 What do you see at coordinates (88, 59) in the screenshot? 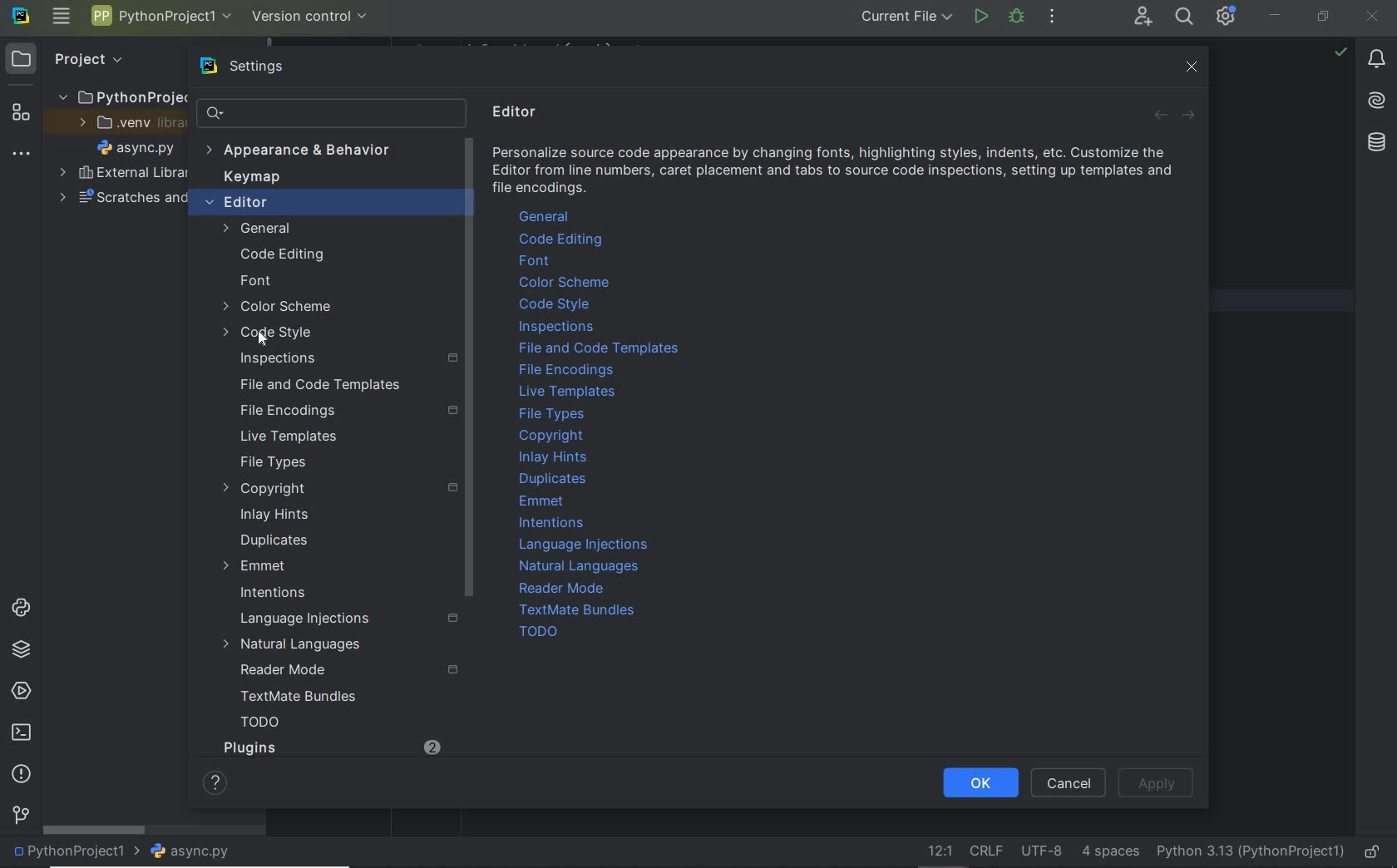
I see `Project` at bounding box center [88, 59].